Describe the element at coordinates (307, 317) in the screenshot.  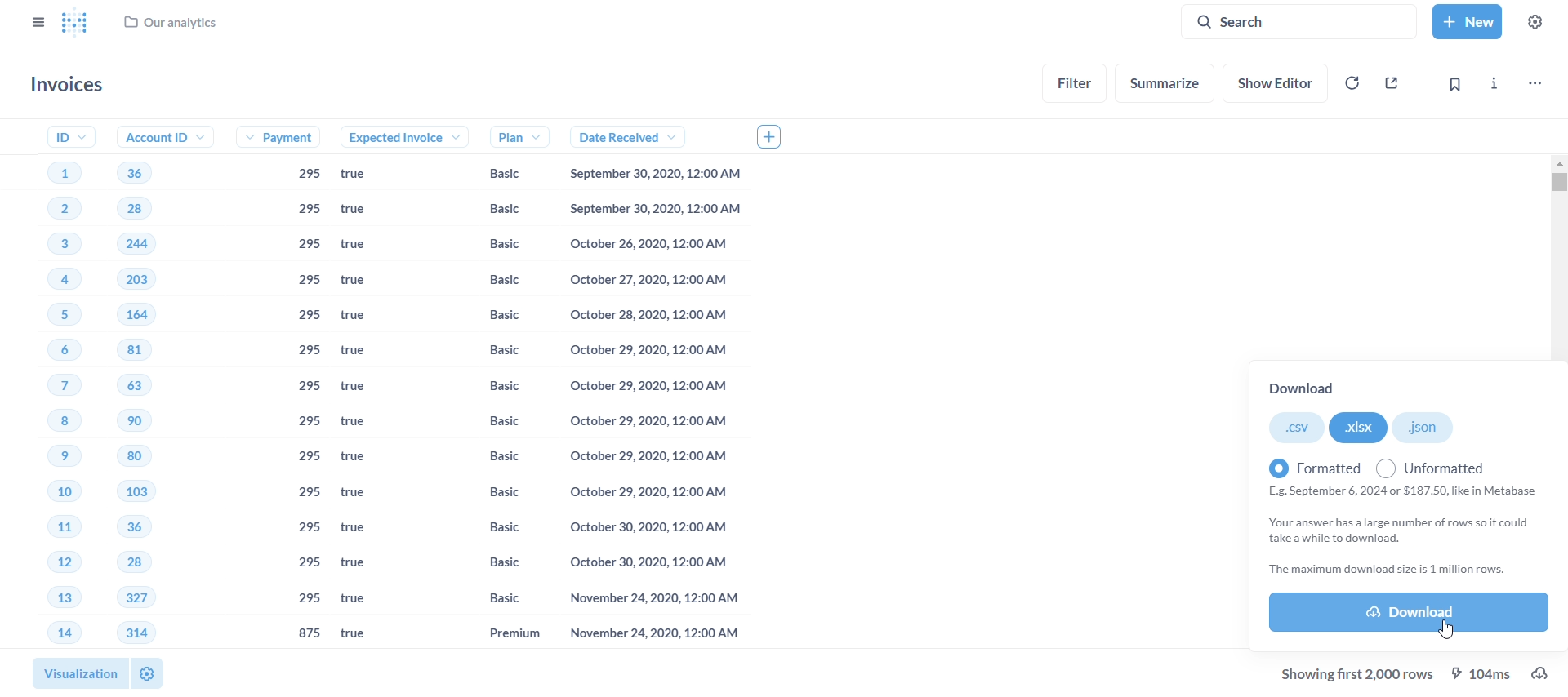
I see `295` at that location.